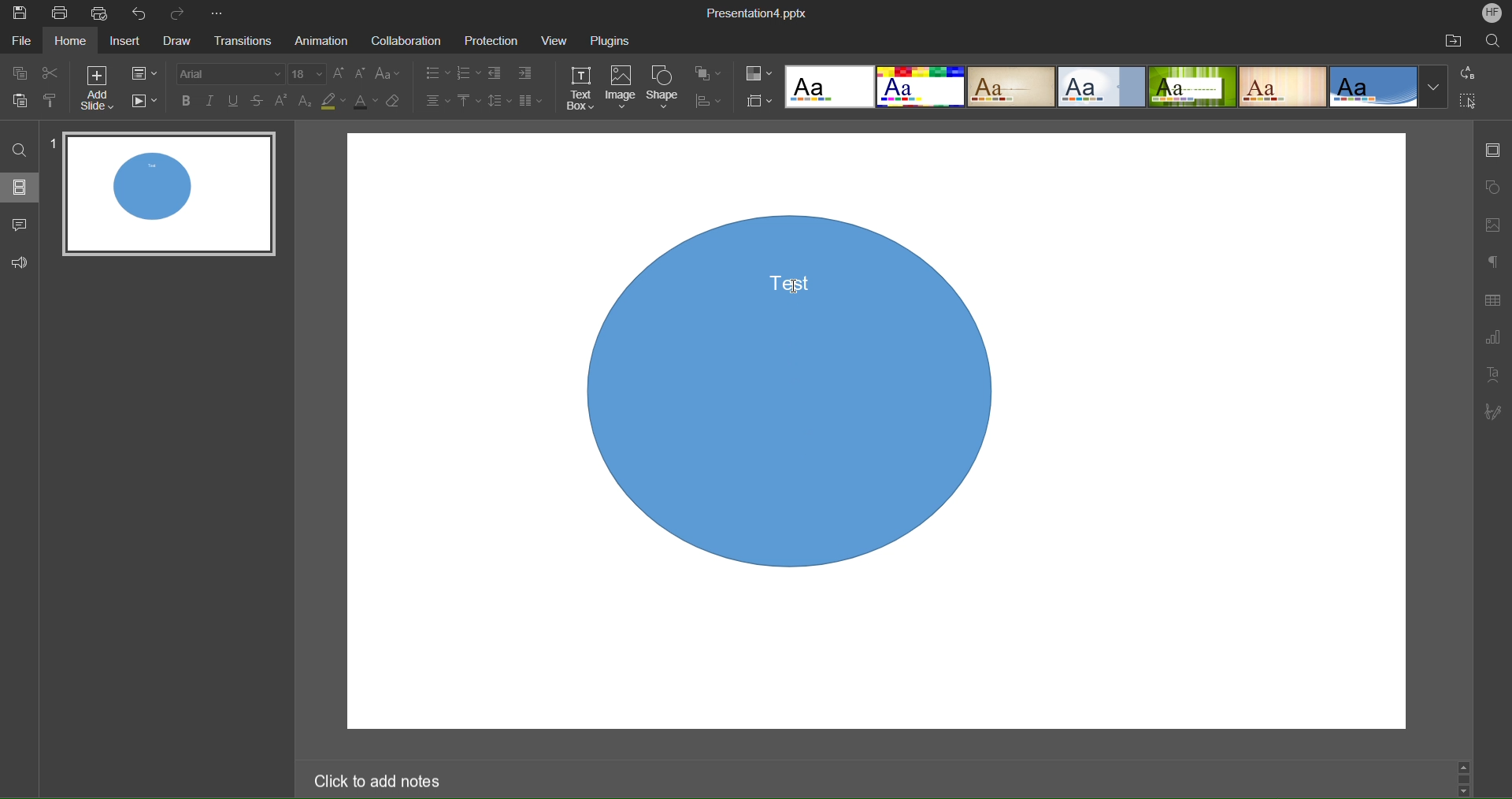 This screenshot has width=1512, height=799. What do you see at coordinates (1473, 100) in the screenshot?
I see `Select All` at bounding box center [1473, 100].